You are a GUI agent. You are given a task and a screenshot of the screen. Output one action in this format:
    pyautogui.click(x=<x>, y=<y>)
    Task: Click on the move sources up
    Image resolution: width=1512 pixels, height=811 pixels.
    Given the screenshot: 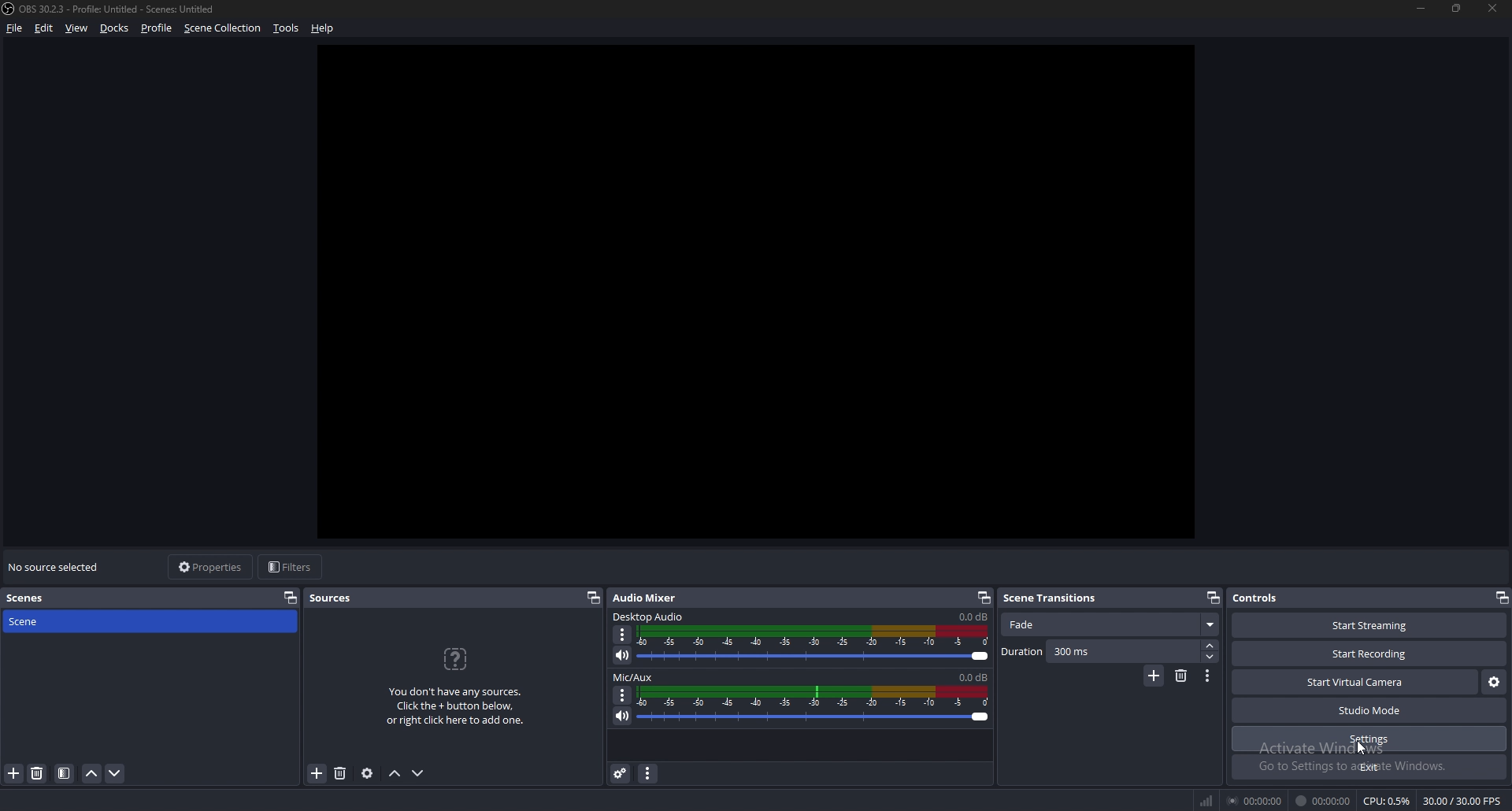 What is the action you would take?
    pyautogui.click(x=396, y=775)
    